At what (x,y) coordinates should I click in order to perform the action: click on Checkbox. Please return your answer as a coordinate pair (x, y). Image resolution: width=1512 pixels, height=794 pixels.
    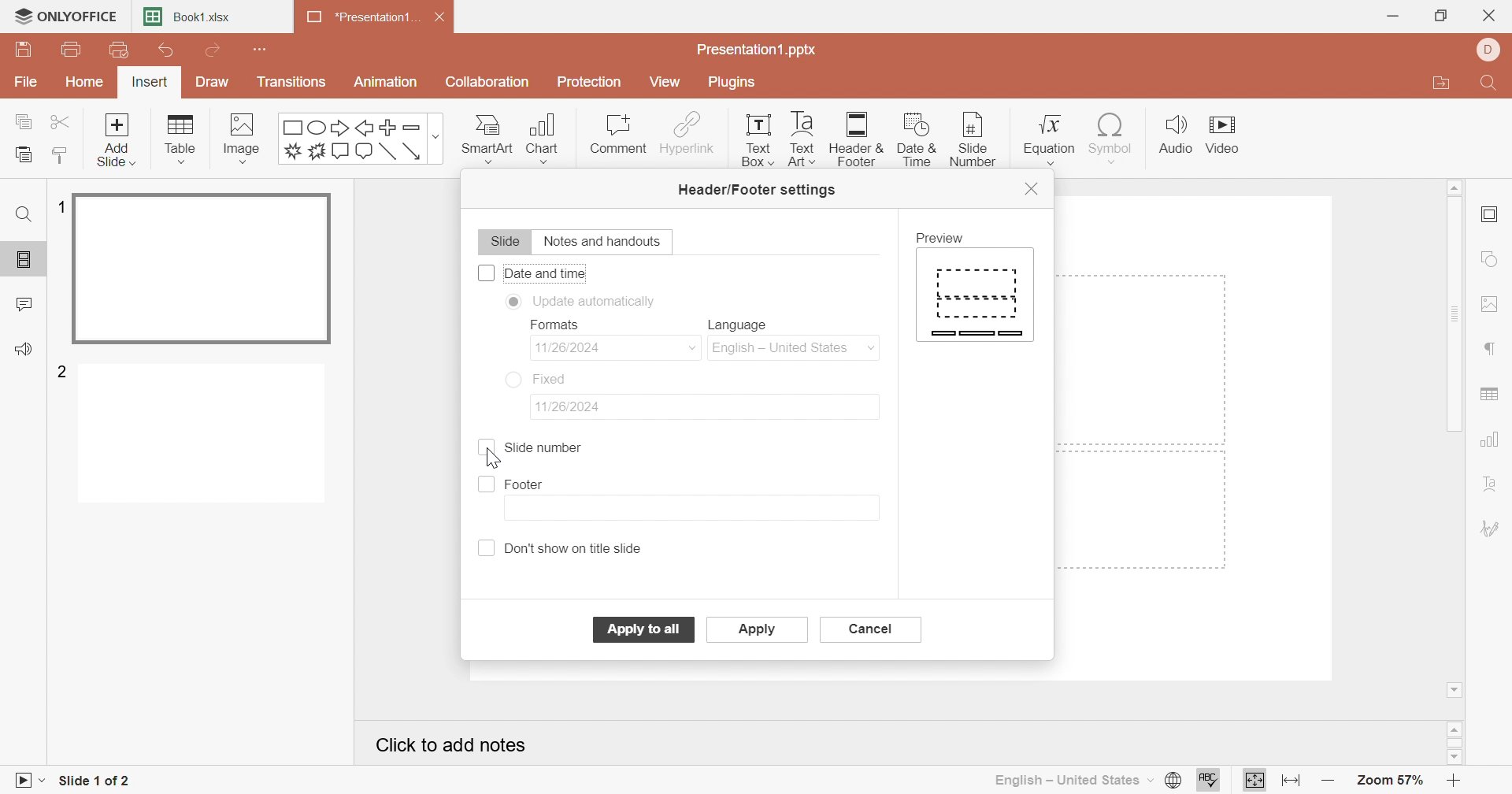
    Looking at the image, I should click on (484, 449).